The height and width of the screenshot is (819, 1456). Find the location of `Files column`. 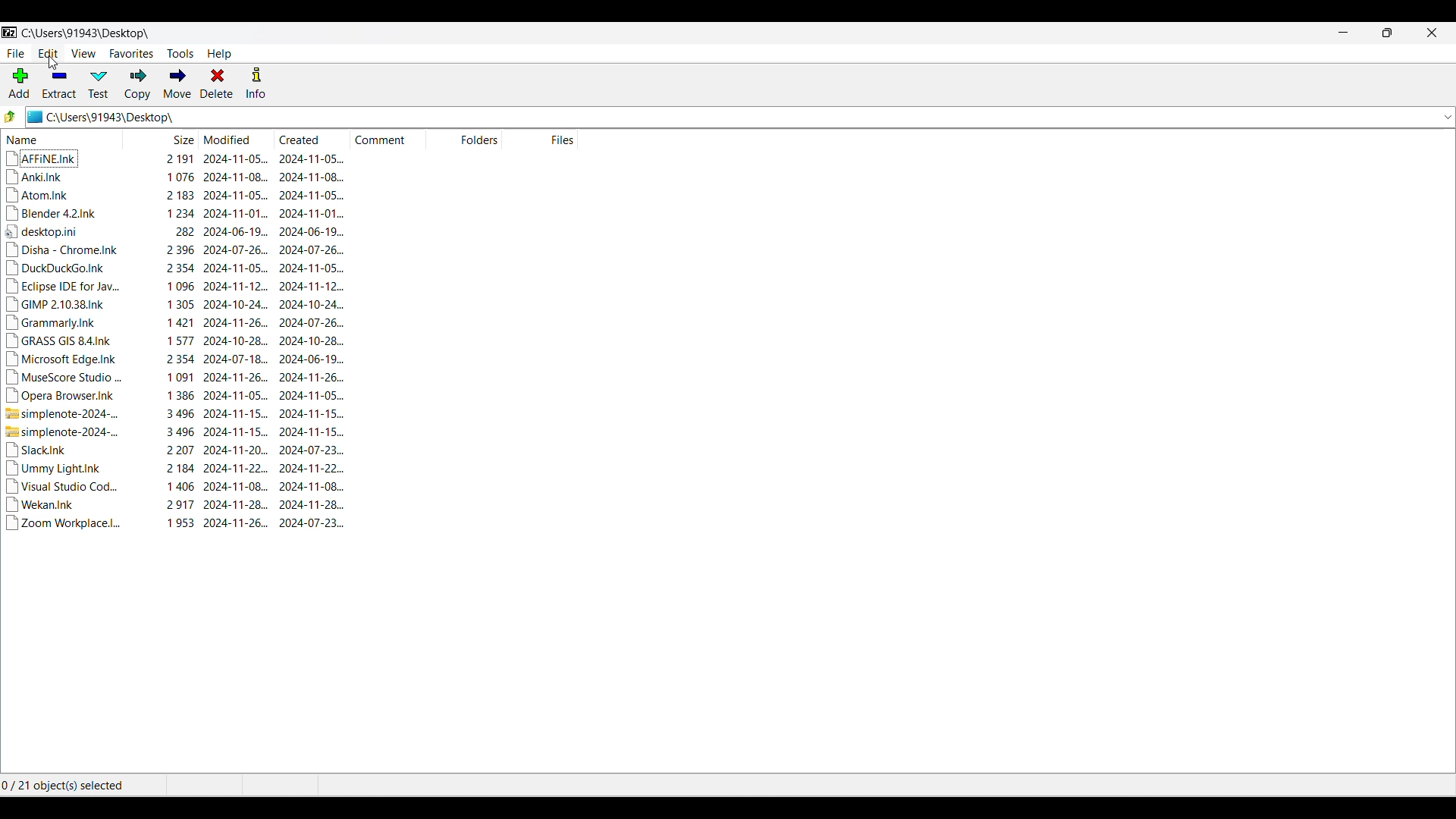

Files column is located at coordinates (540, 139).